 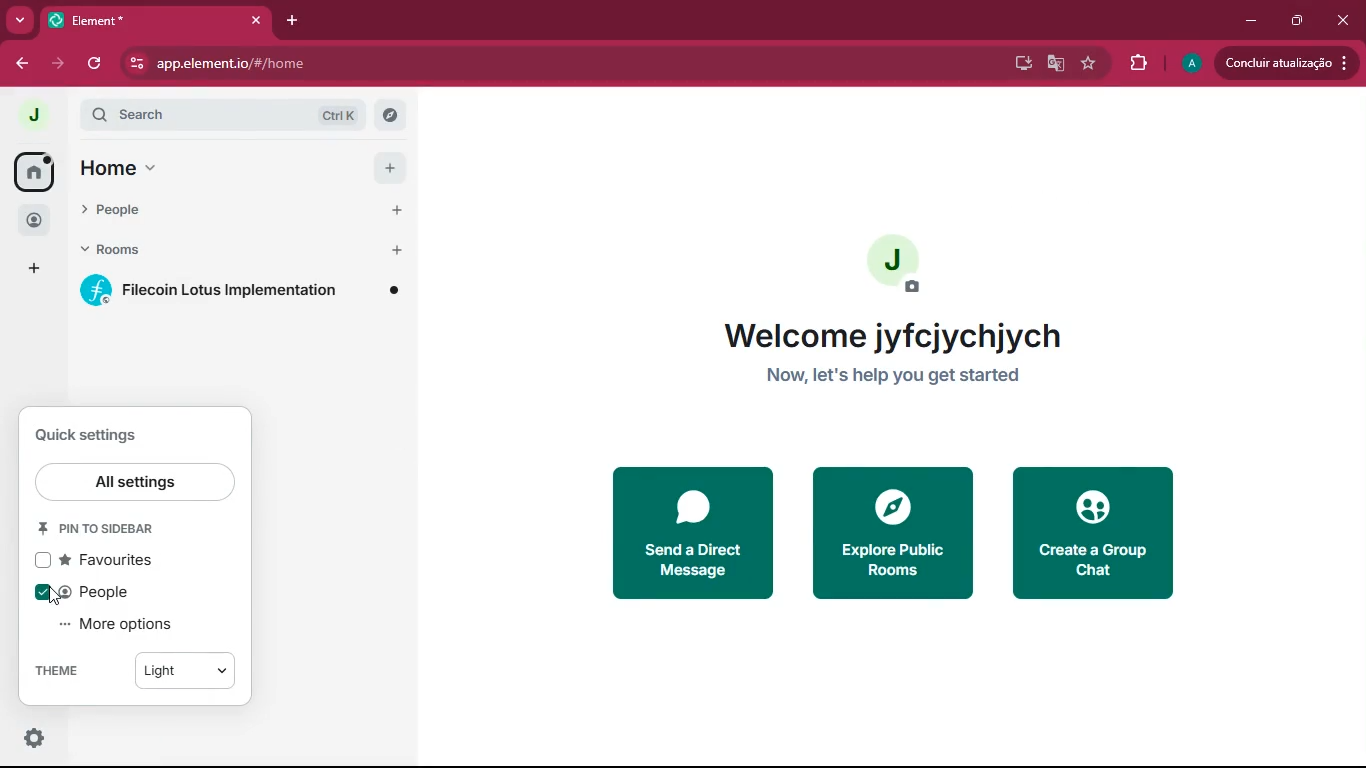 What do you see at coordinates (56, 594) in the screenshot?
I see `Cursor` at bounding box center [56, 594].